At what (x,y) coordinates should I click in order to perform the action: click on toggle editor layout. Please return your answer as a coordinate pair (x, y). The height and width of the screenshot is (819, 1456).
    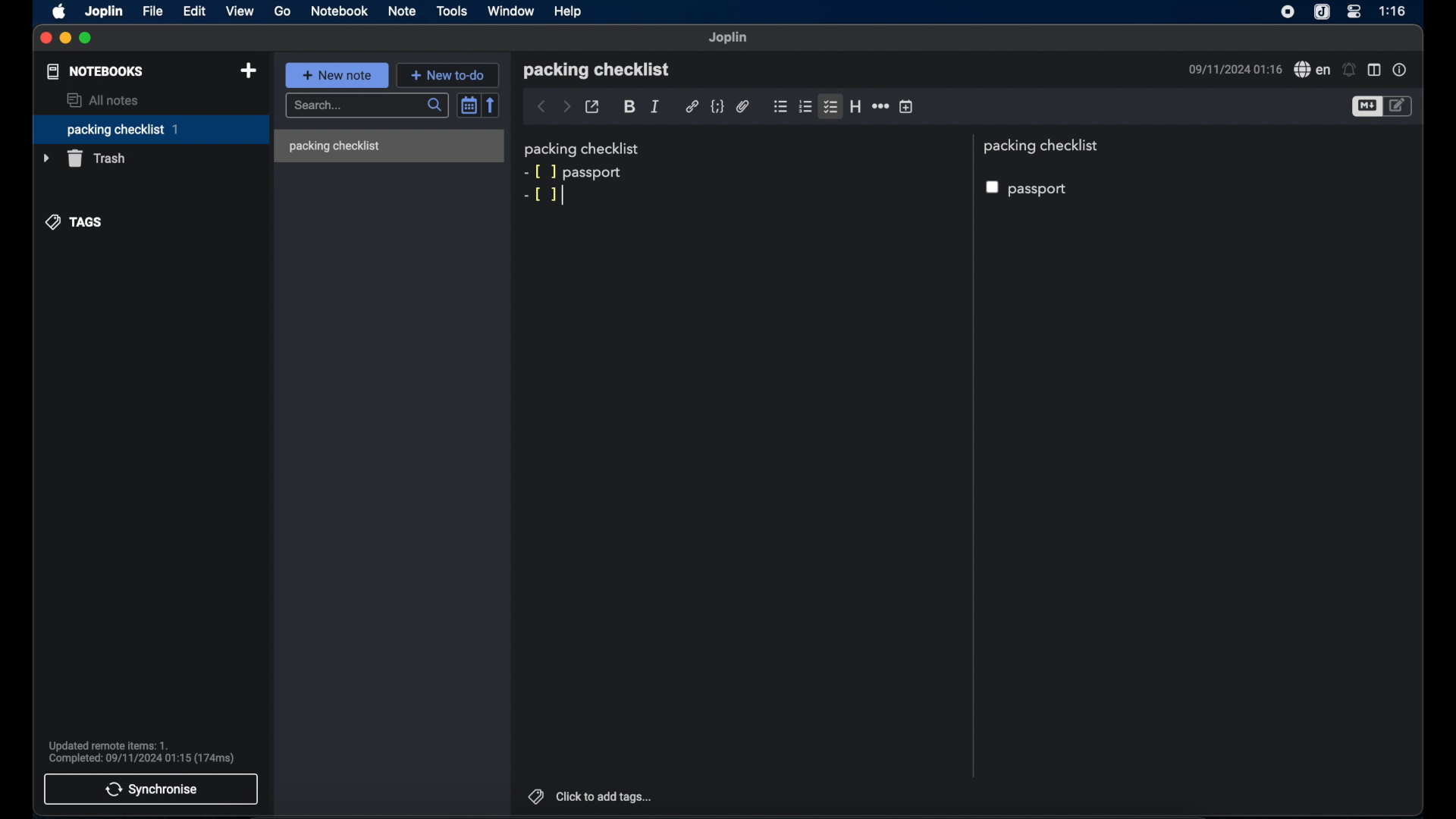
    Looking at the image, I should click on (1375, 69).